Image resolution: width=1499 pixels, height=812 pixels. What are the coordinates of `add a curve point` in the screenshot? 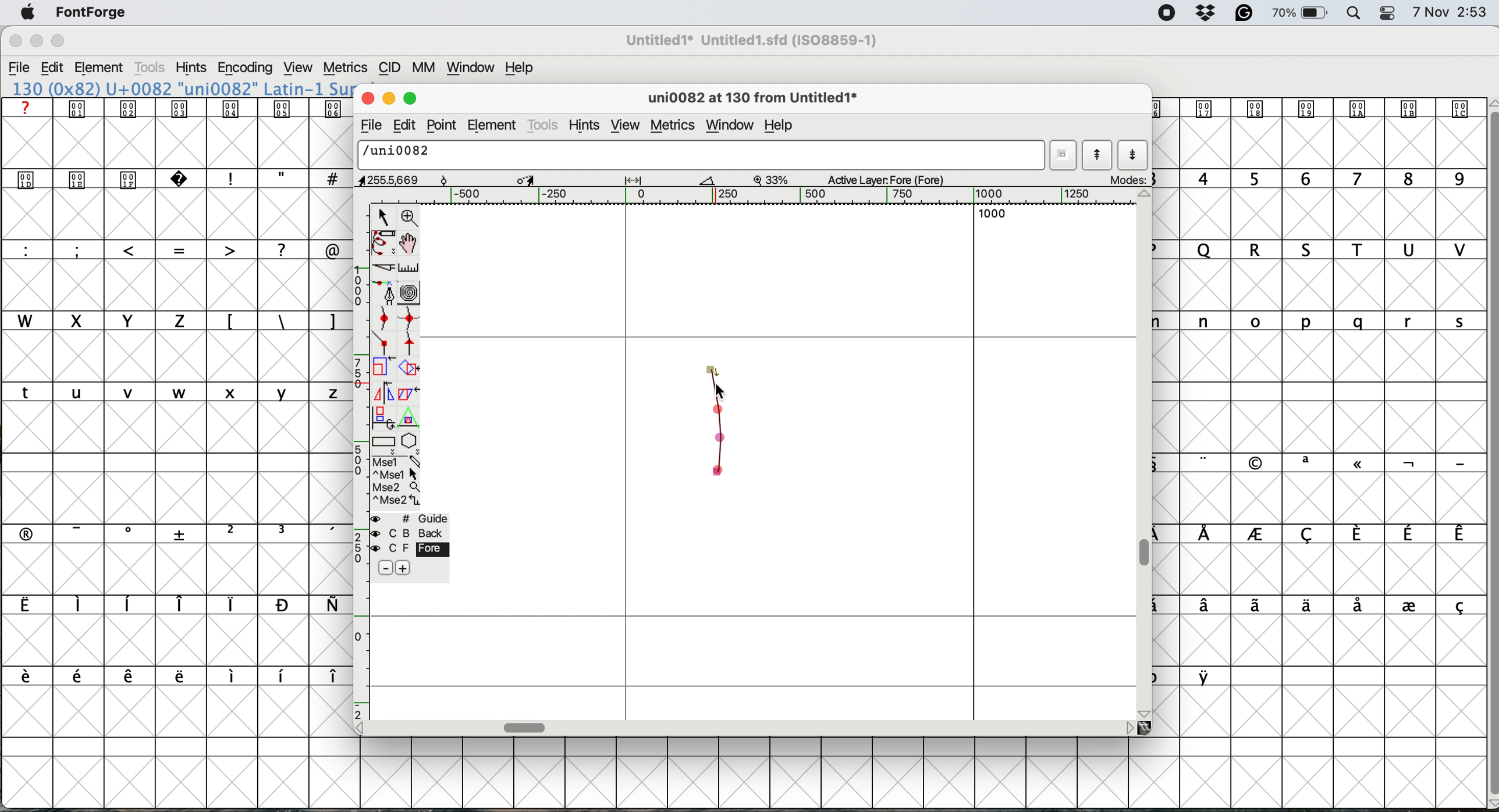 It's located at (386, 320).